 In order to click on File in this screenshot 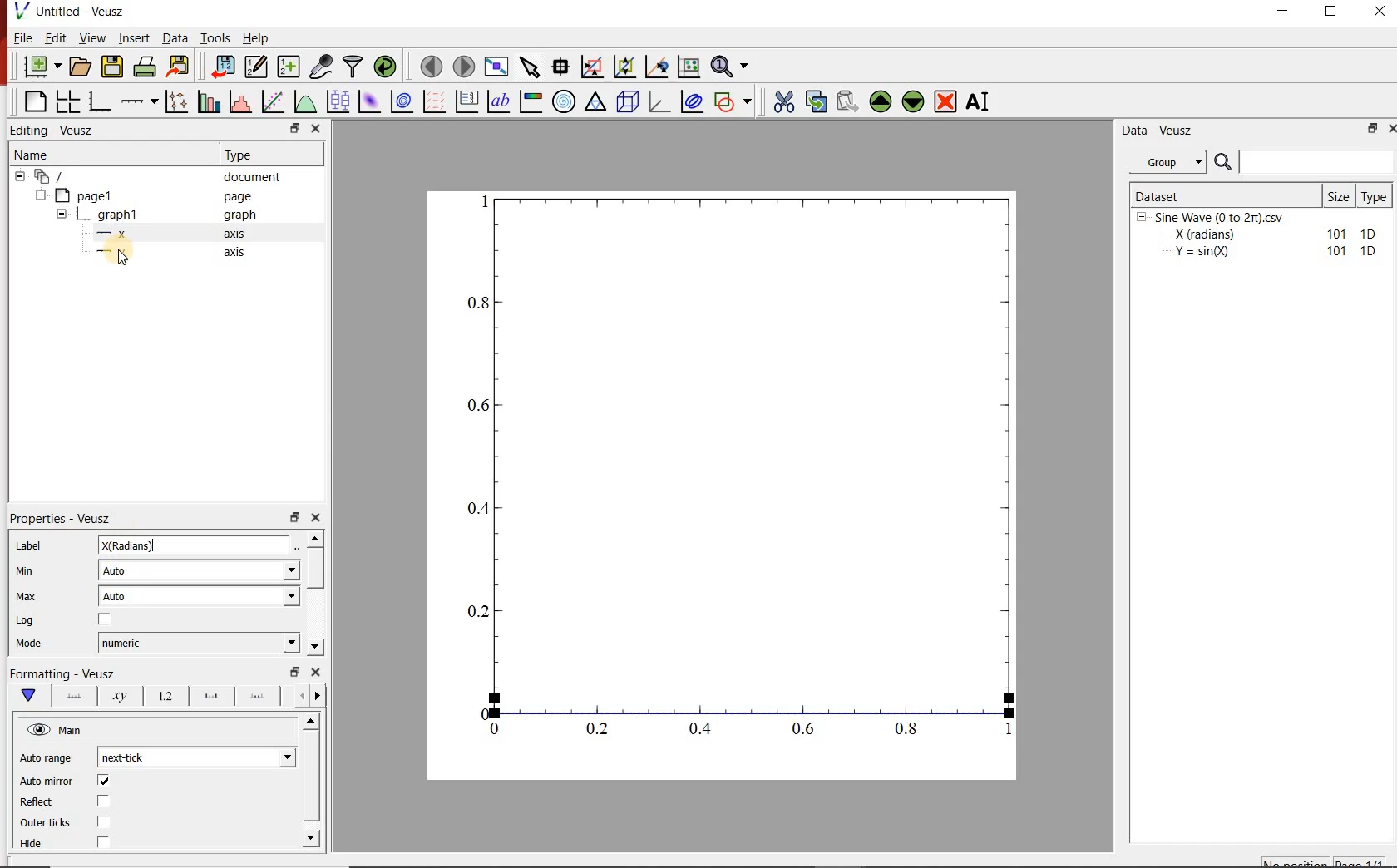, I will do `click(23, 37)`.